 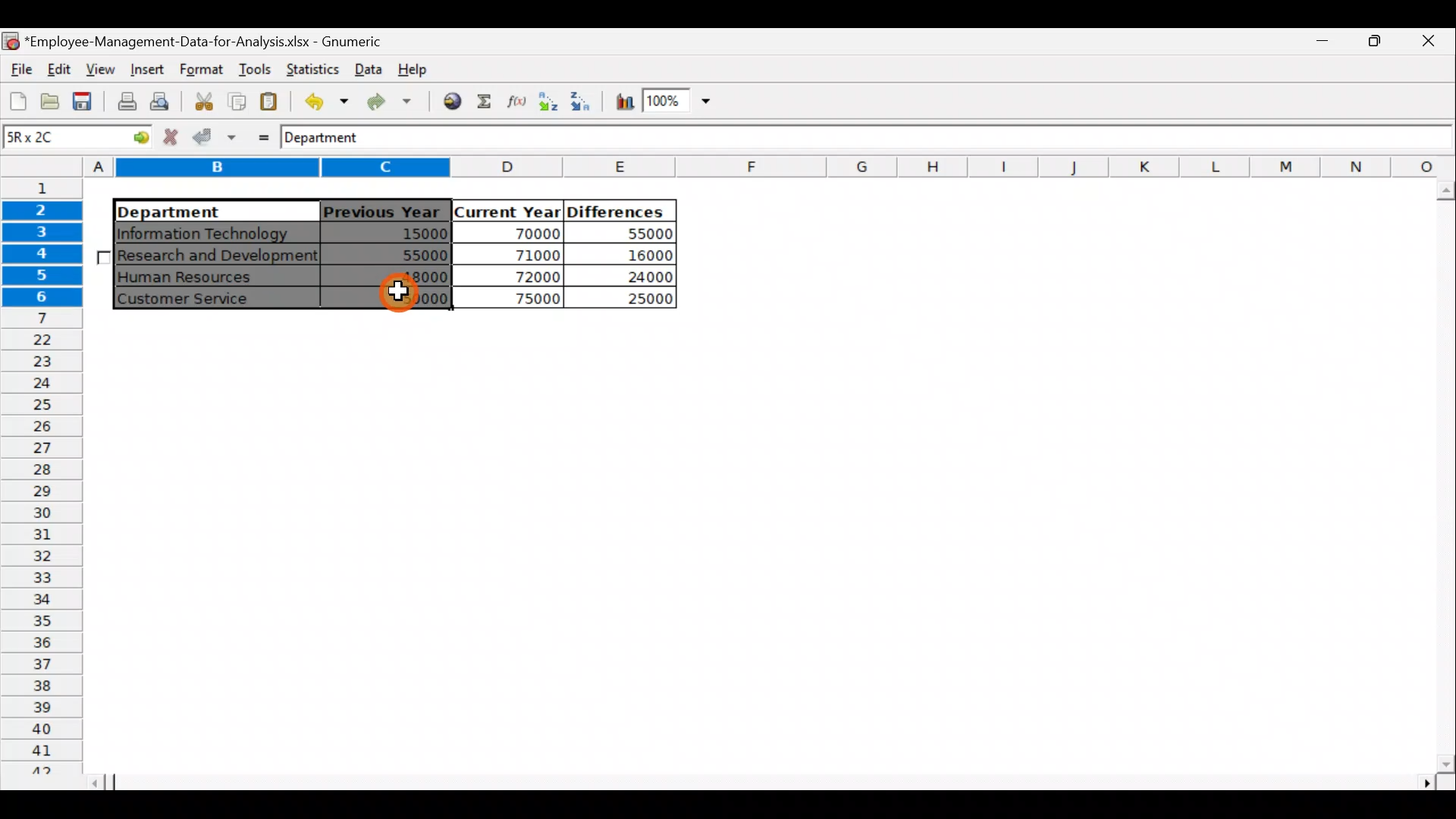 What do you see at coordinates (196, 278) in the screenshot?
I see `Human Resources` at bounding box center [196, 278].